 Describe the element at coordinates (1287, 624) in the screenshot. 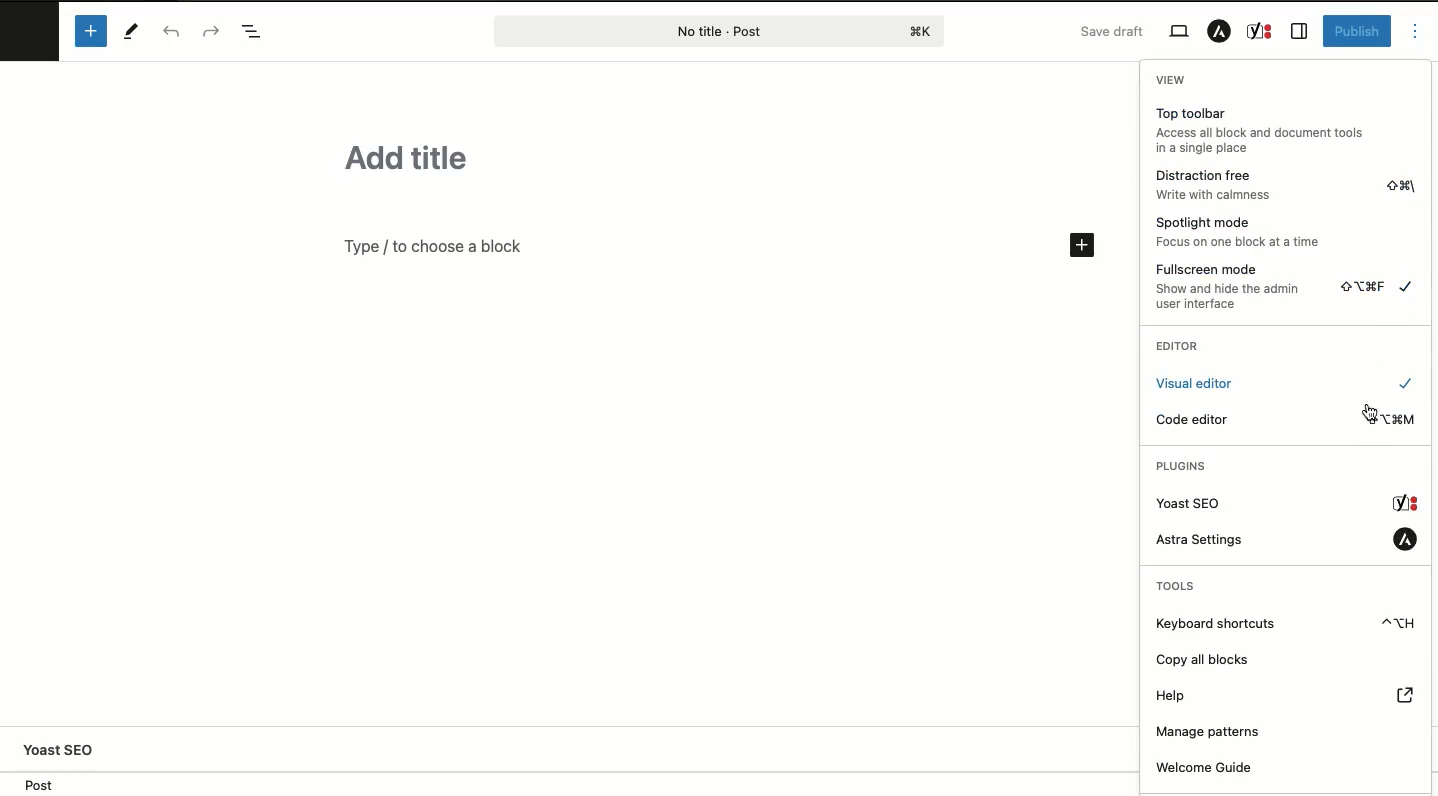

I see `Keyboard shortcuts` at that location.